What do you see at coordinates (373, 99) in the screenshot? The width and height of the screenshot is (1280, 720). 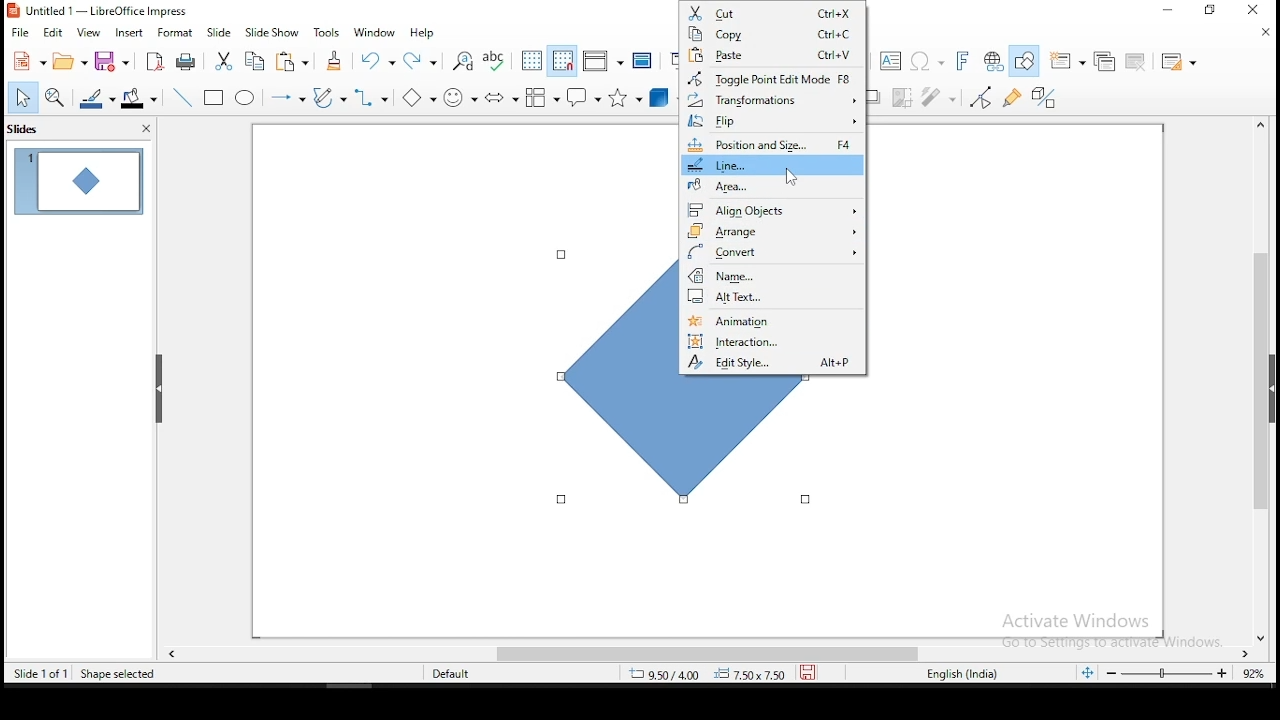 I see `connectors` at bounding box center [373, 99].